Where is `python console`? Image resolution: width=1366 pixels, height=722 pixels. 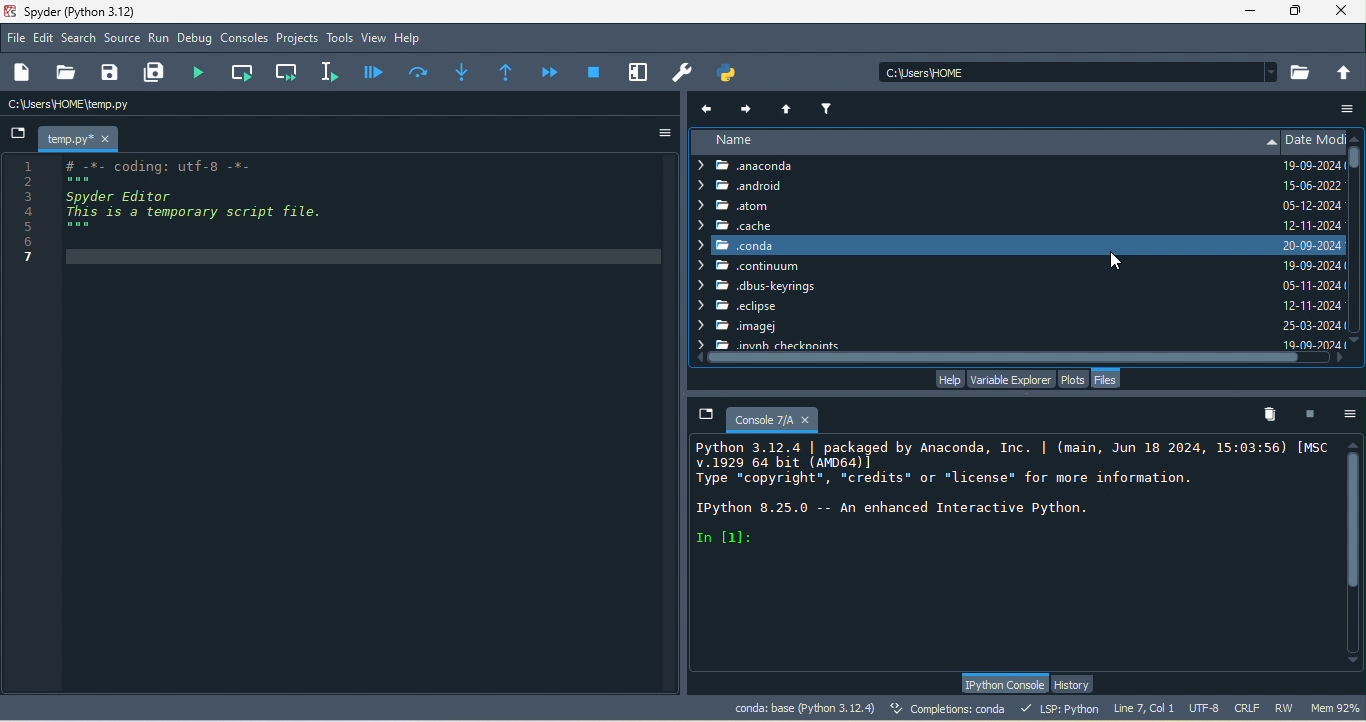 python console is located at coordinates (1003, 684).